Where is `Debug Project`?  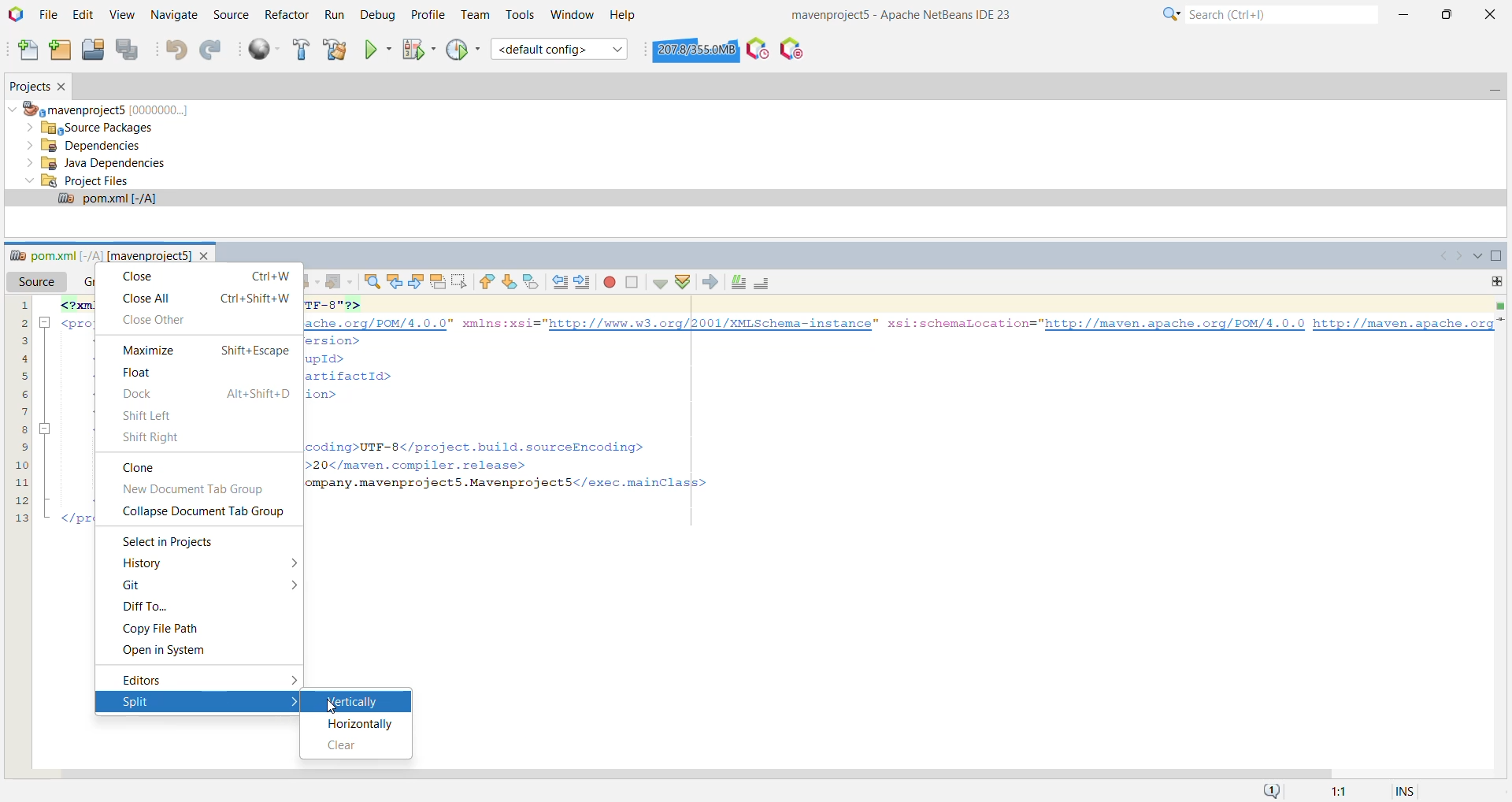
Debug Project is located at coordinates (417, 49).